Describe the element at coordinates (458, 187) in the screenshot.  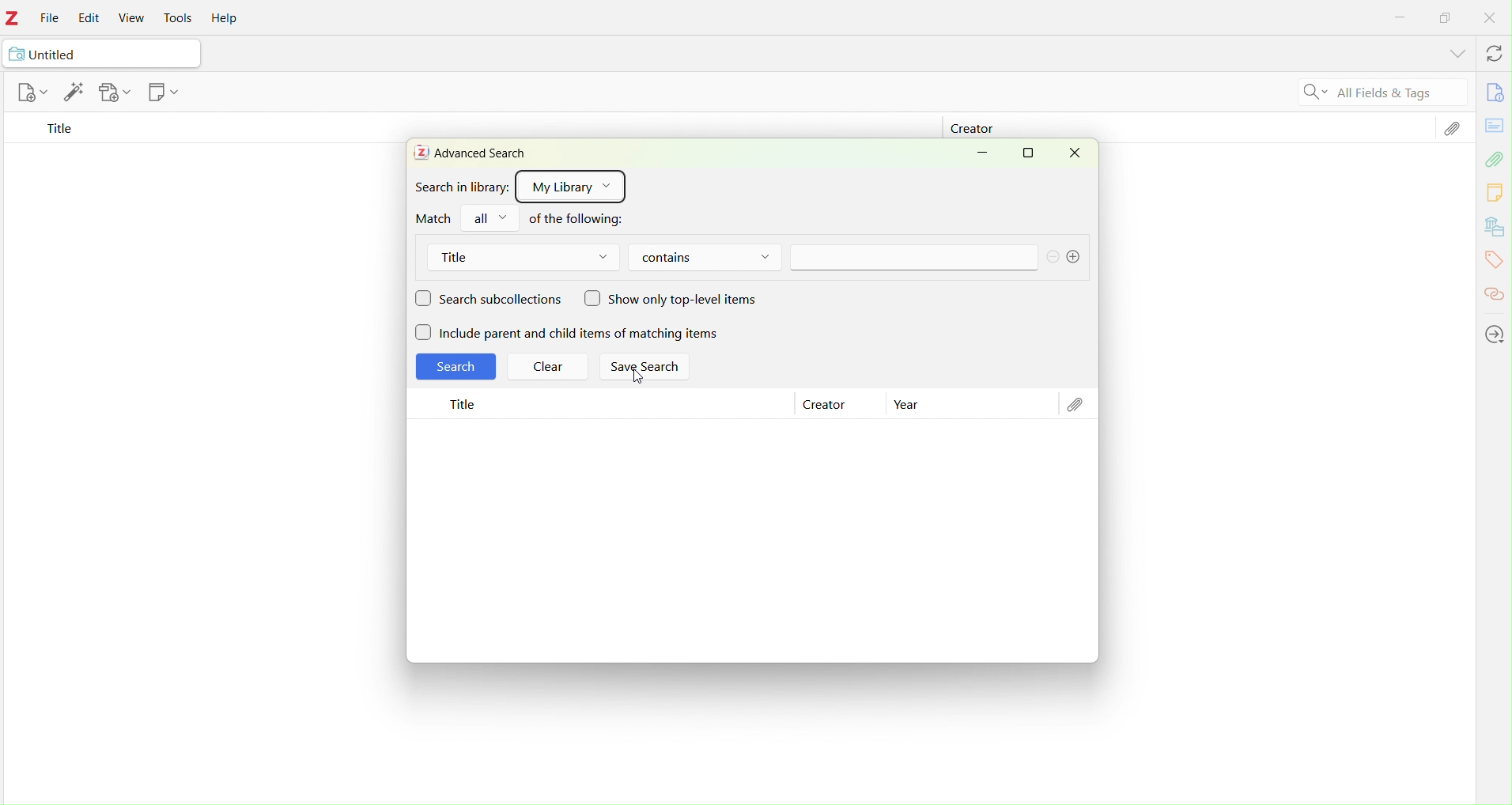
I see `Search in library` at that location.